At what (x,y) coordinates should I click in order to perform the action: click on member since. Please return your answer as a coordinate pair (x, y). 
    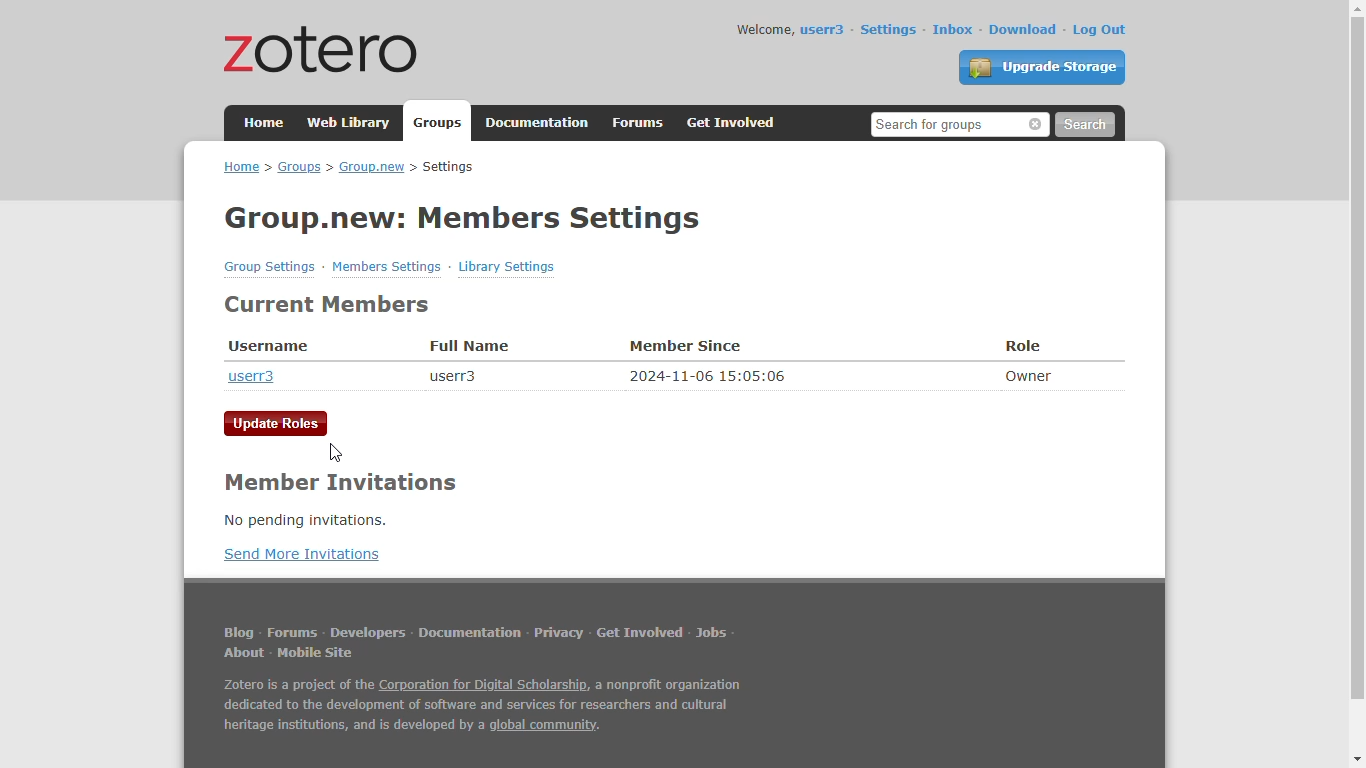
    Looking at the image, I should click on (686, 347).